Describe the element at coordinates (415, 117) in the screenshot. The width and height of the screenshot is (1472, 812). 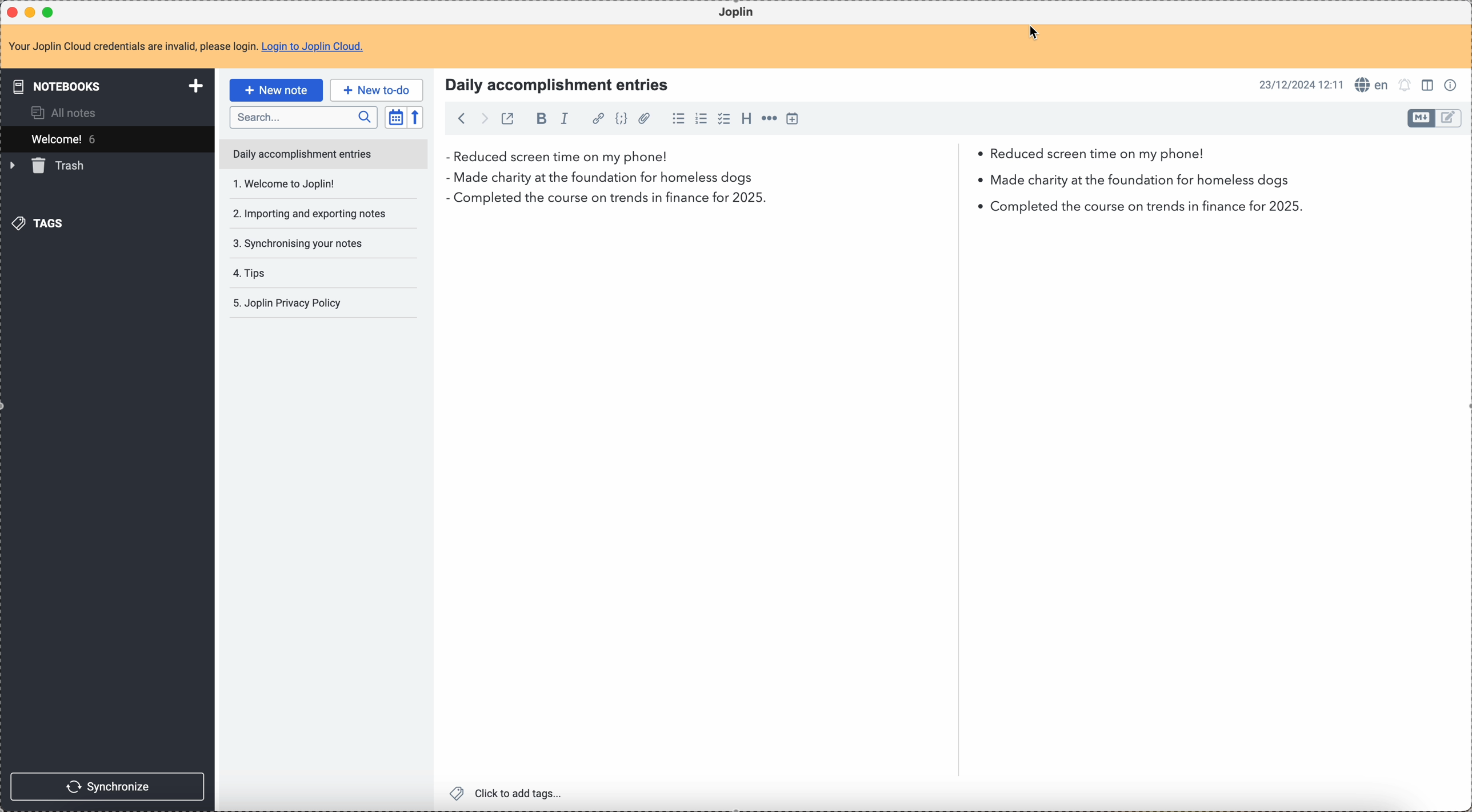
I see `reverse sort order` at that location.